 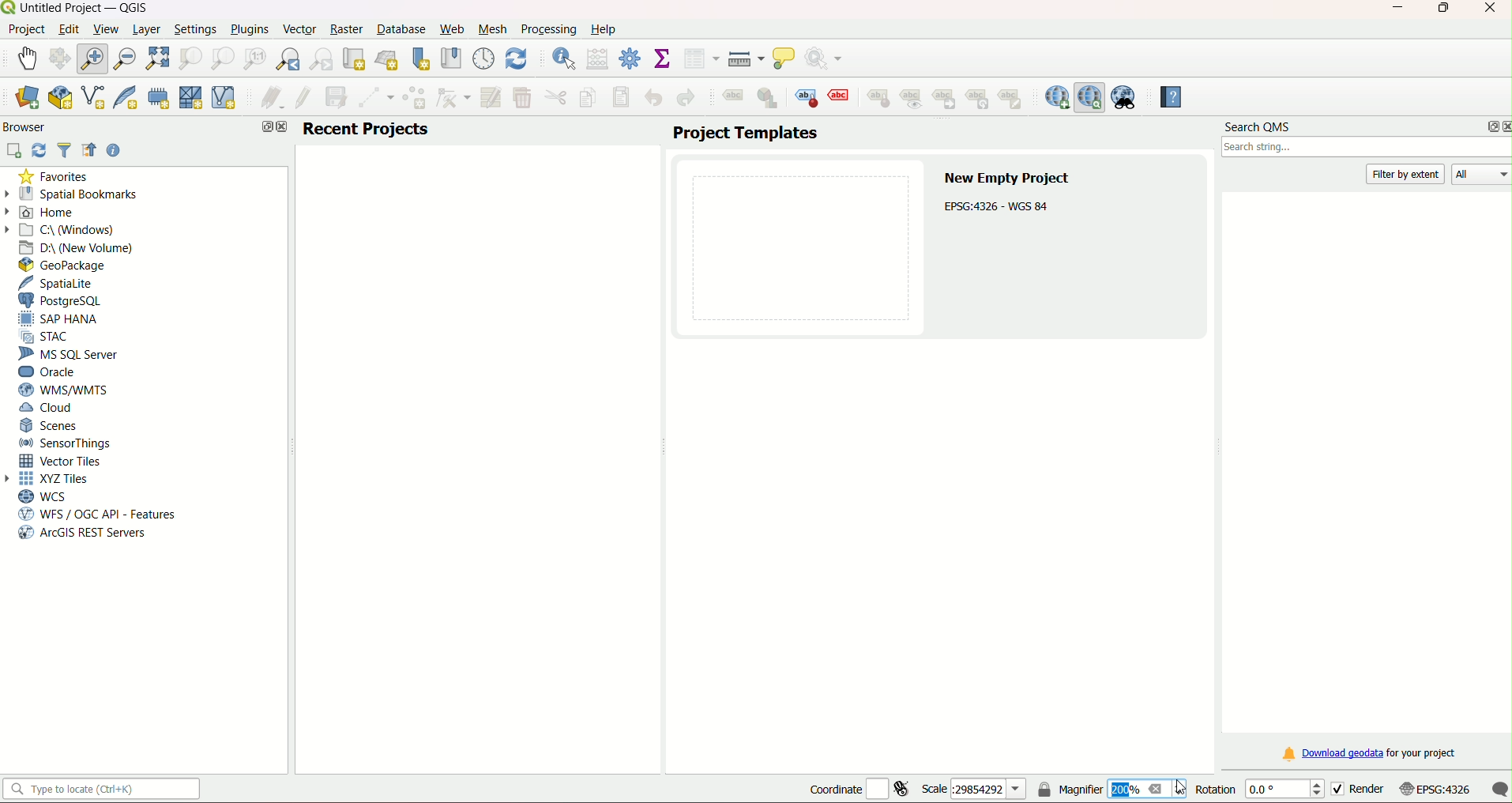 What do you see at coordinates (123, 98) in the screenshot?
I see `new spatialite layer` at bounding box center [123, 98].